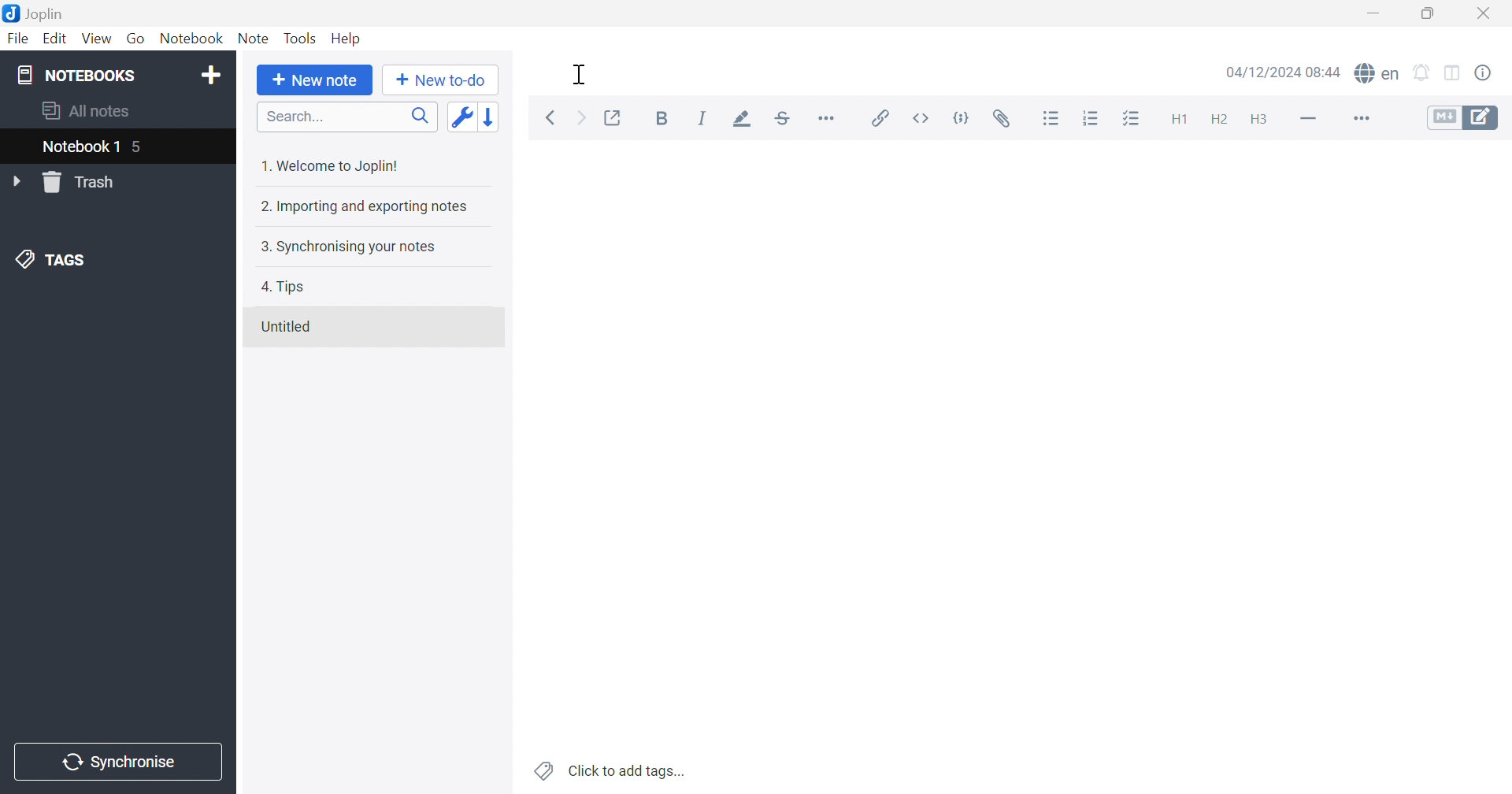  What do you see at coordinates (1053, 121) in the screenshot?
I see `Bulleted list` at bounding box center [1053, 121].